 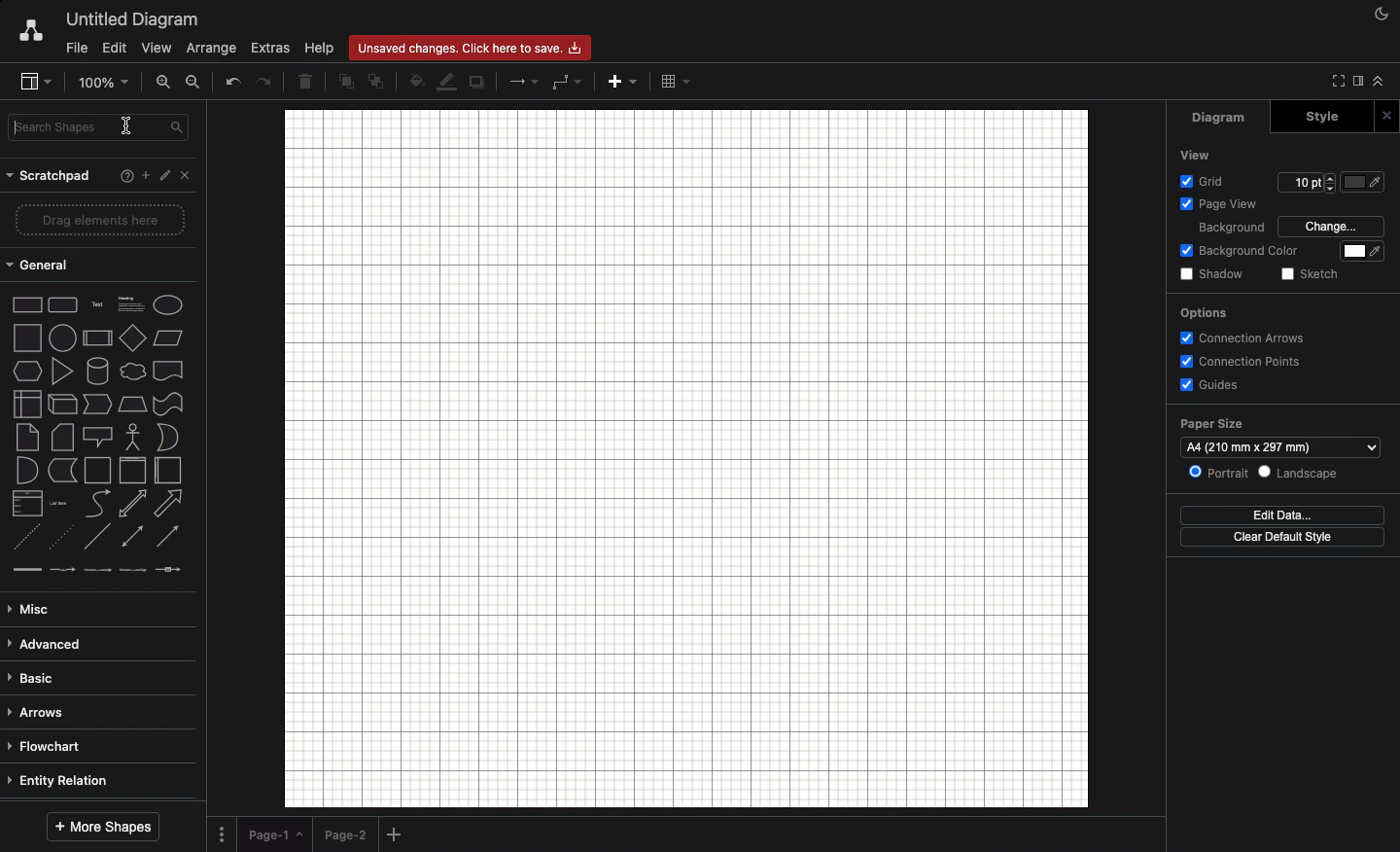 I want to click on Zoom, so click(x=105, y=81).